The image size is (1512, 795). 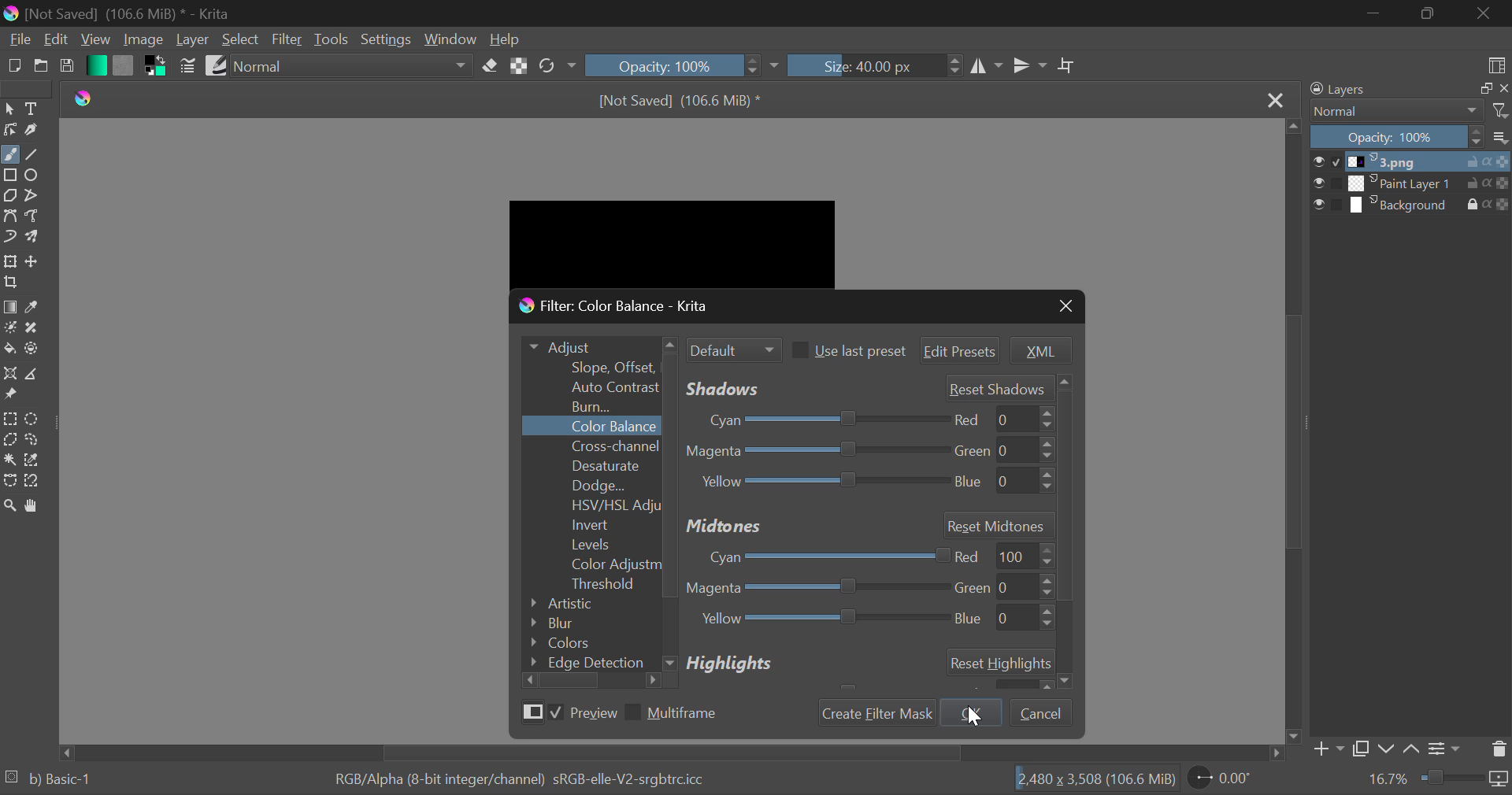 What do you see at coordinates (1399, 137) in the screenshot?
I see `Opacity 100%` at bounding box center [1399, 137].